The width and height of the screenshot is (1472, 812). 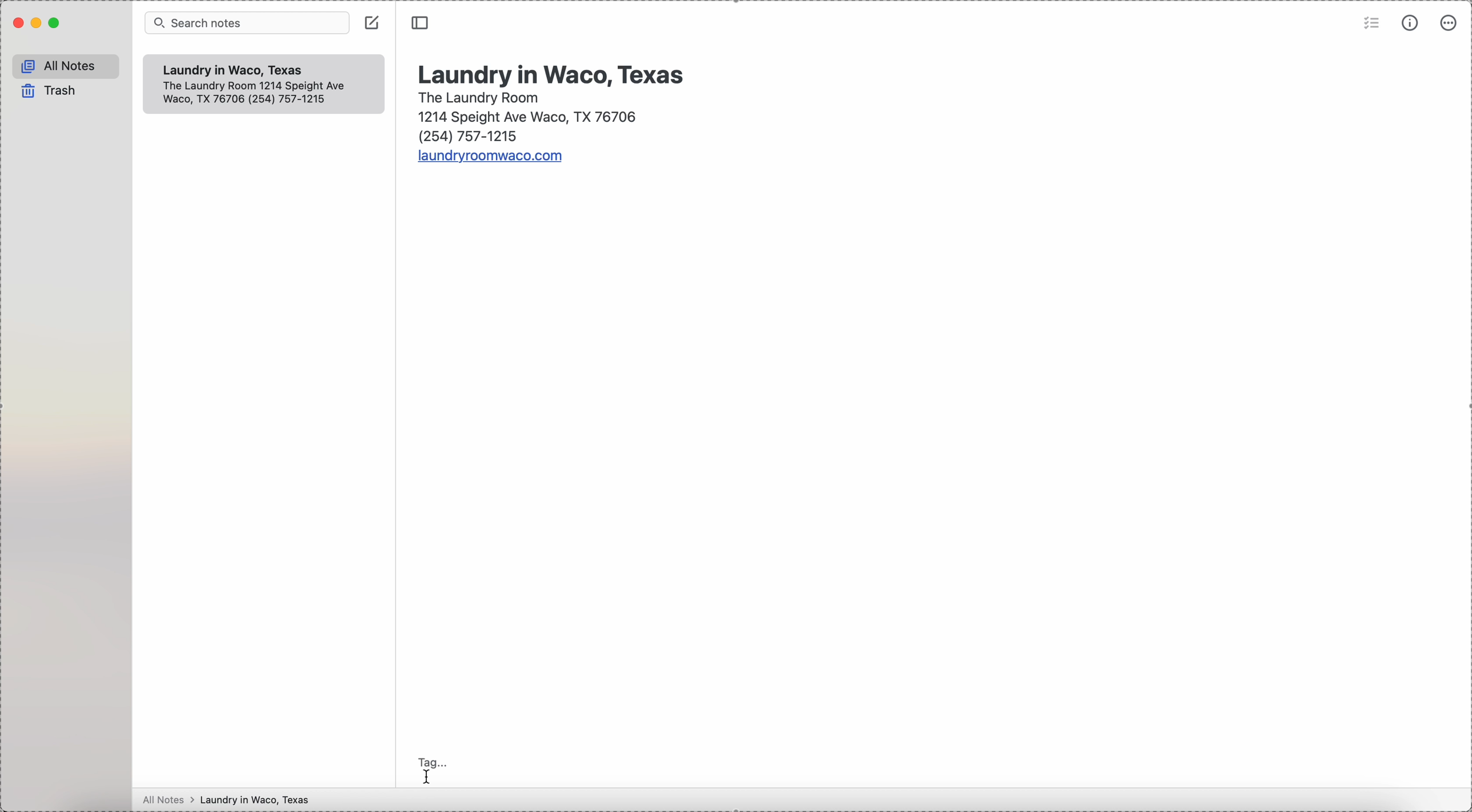 What do you see at coordinates (493, 157) in the screenshot?
I see `url of laundry in waco` at bounding box center [493, 157].